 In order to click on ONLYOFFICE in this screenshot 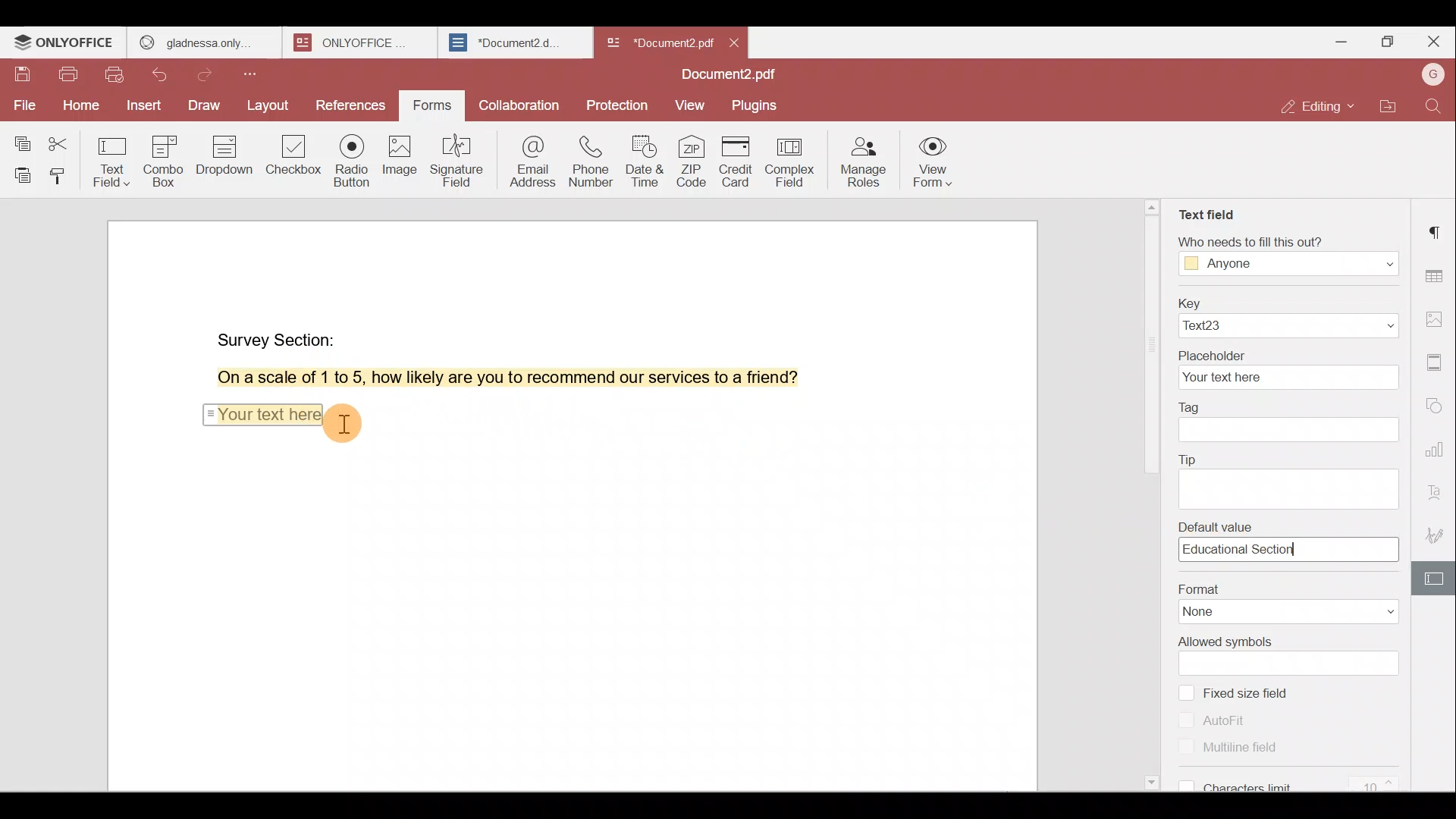, I will do `click(65, 42)`.